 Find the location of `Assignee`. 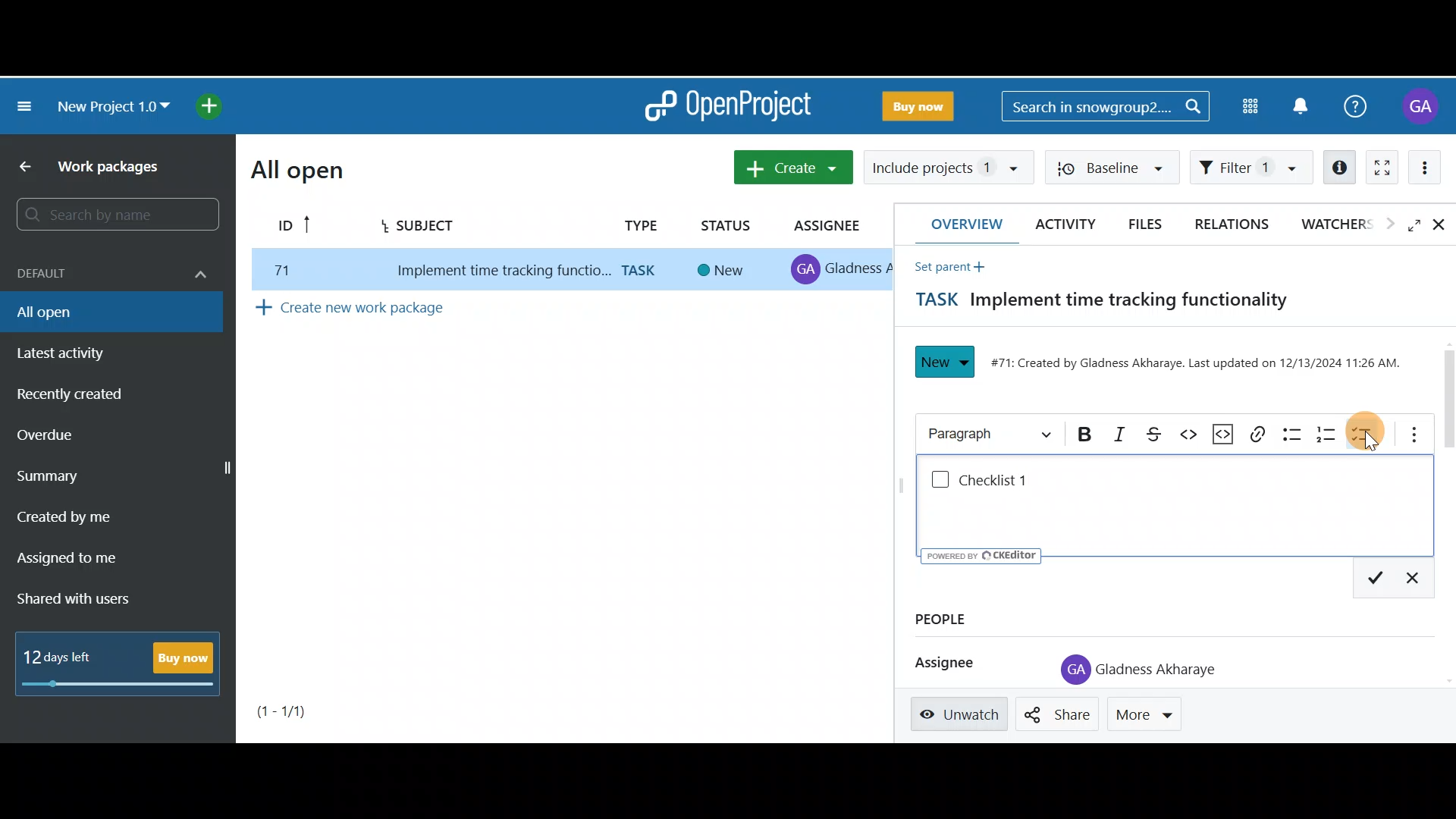

Assignee is located at coordinates (939, 661).